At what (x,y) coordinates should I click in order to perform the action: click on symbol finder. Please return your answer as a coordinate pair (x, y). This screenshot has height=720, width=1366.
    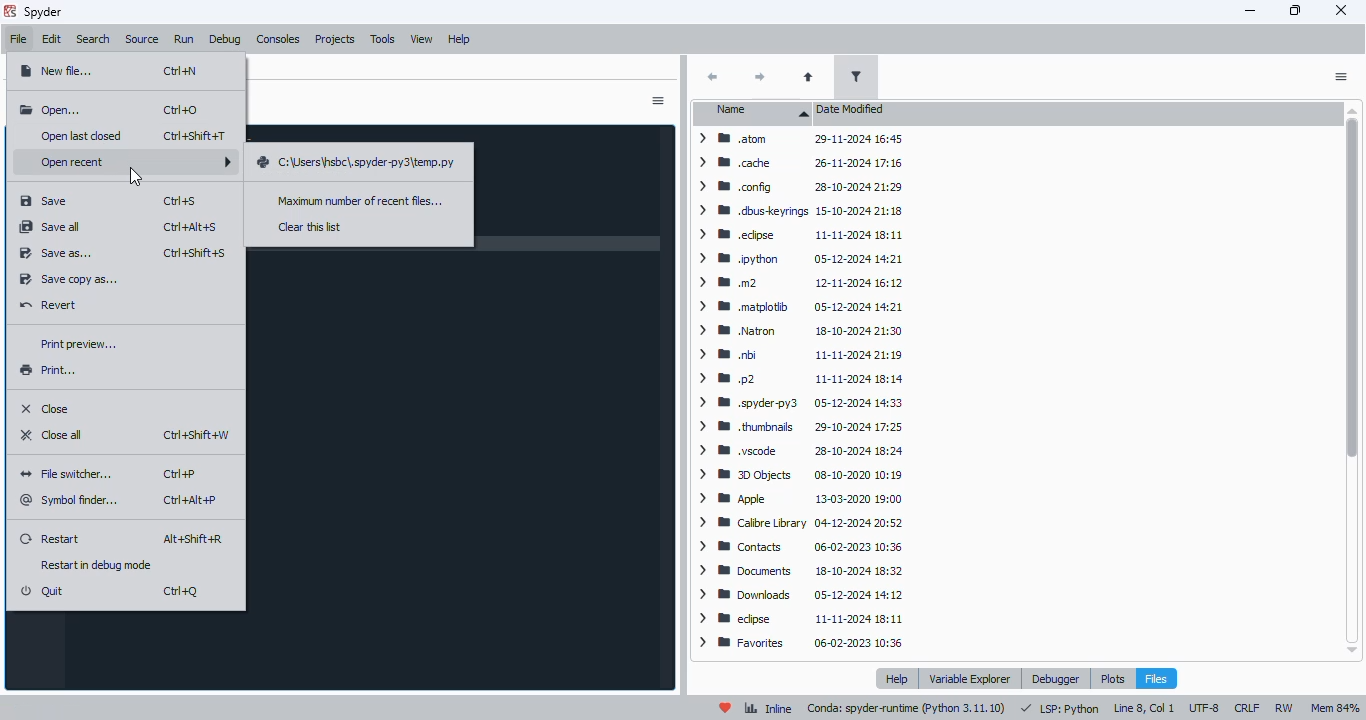
    Looking at the image, I should click on (72, 500).